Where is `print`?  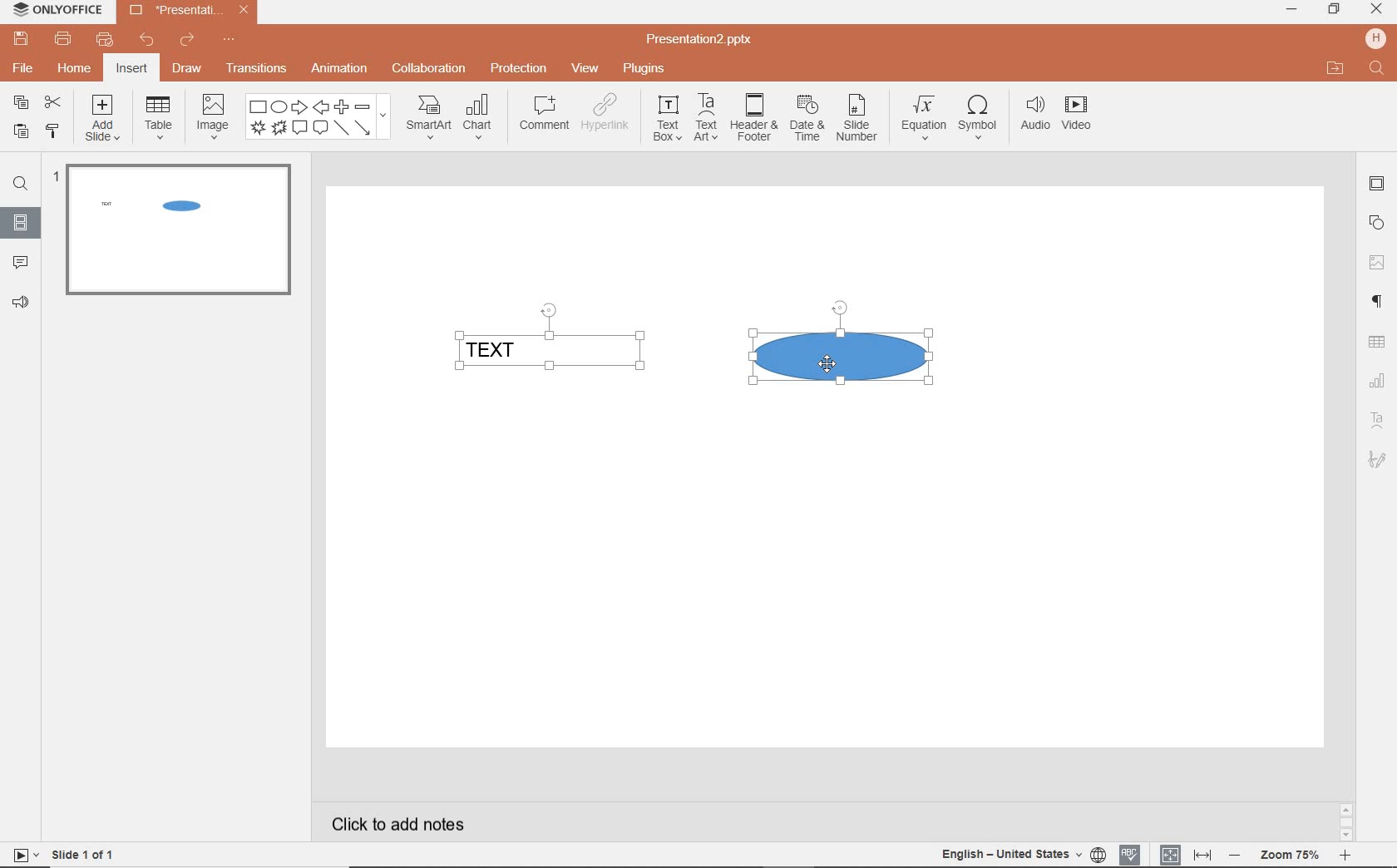
print is located at coordinates (64, 39).